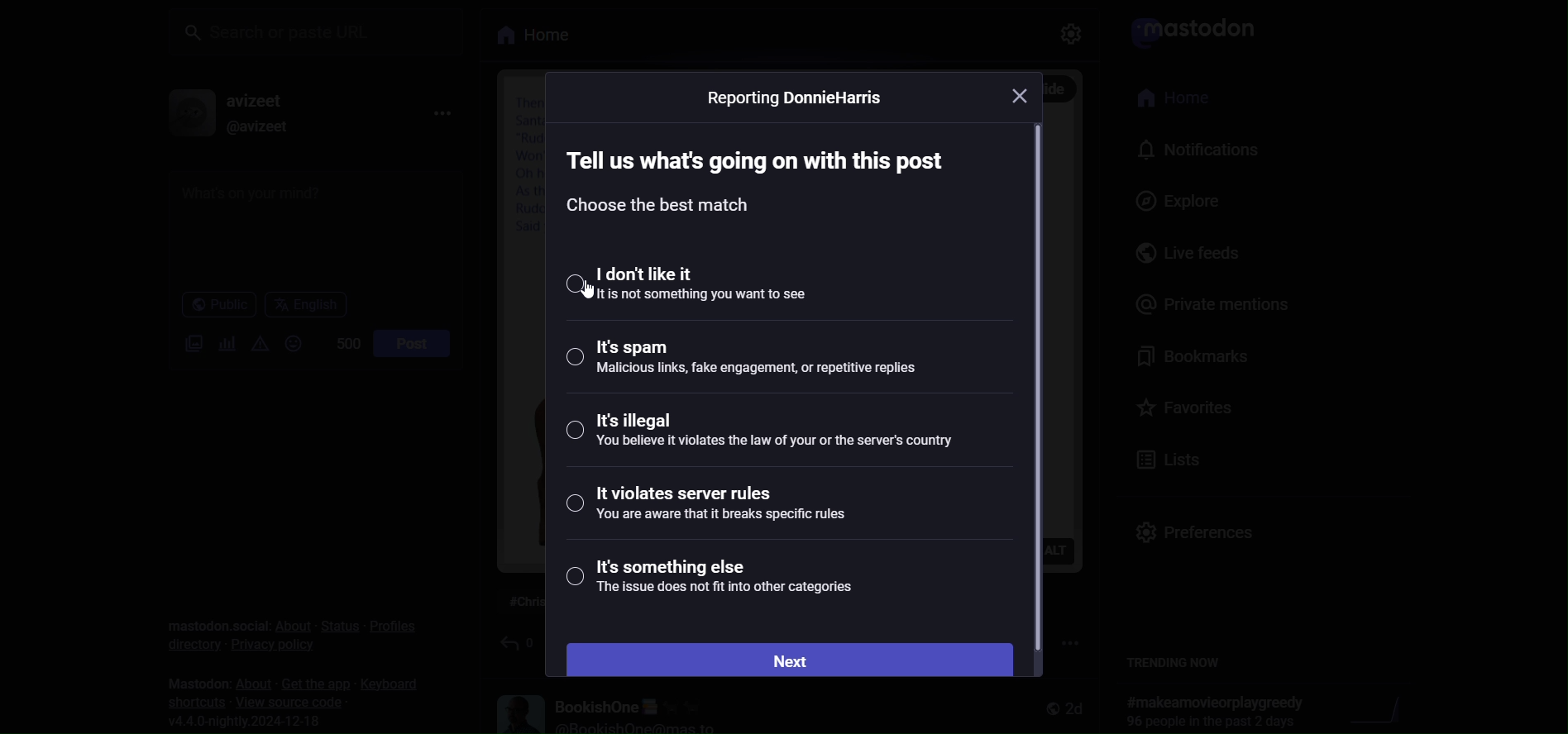 Image resolution: width=1568 pixels, height=734 pixels. Describe the element at coordinates (745, 362) in the screenshot. I see `It's spamMalicious links, fake engagement, or repetitive replies` at that location.